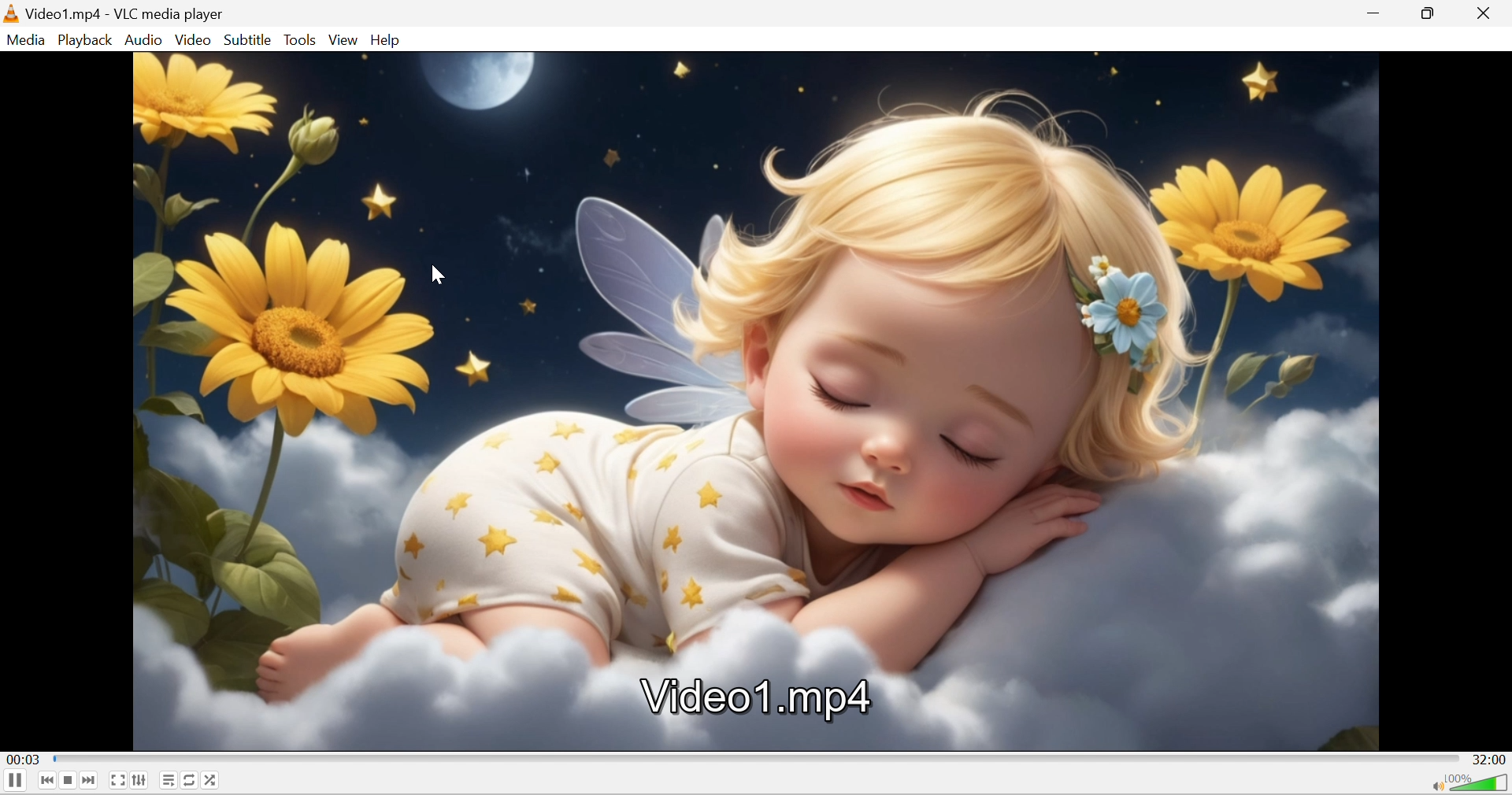 The image size is (1512, 795). Describe the element at coordinates (13, 14) in the screenshot. I see `logo` at that location.